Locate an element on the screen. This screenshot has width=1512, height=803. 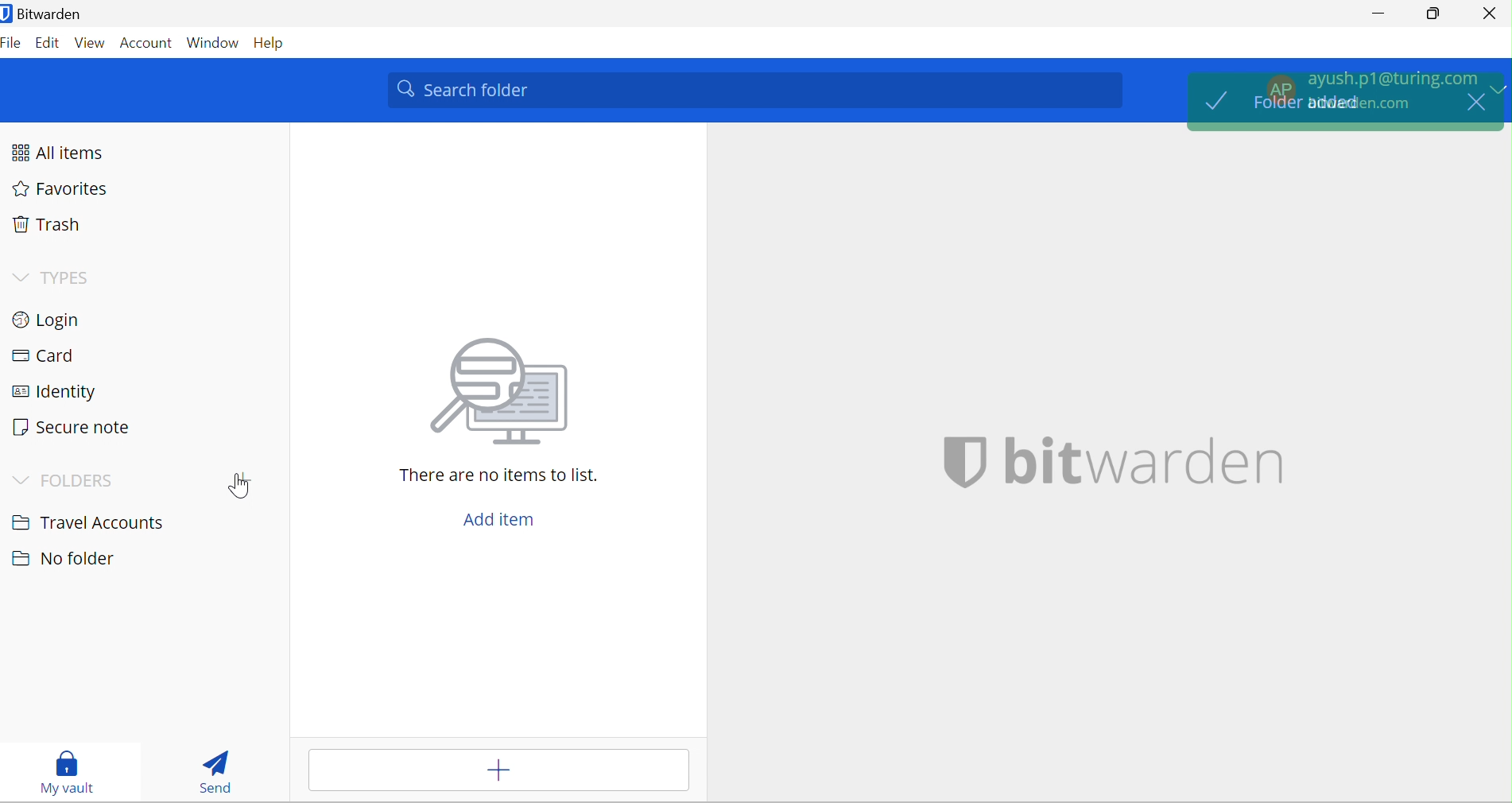
Drop Down is located at coordinates (19, 479).